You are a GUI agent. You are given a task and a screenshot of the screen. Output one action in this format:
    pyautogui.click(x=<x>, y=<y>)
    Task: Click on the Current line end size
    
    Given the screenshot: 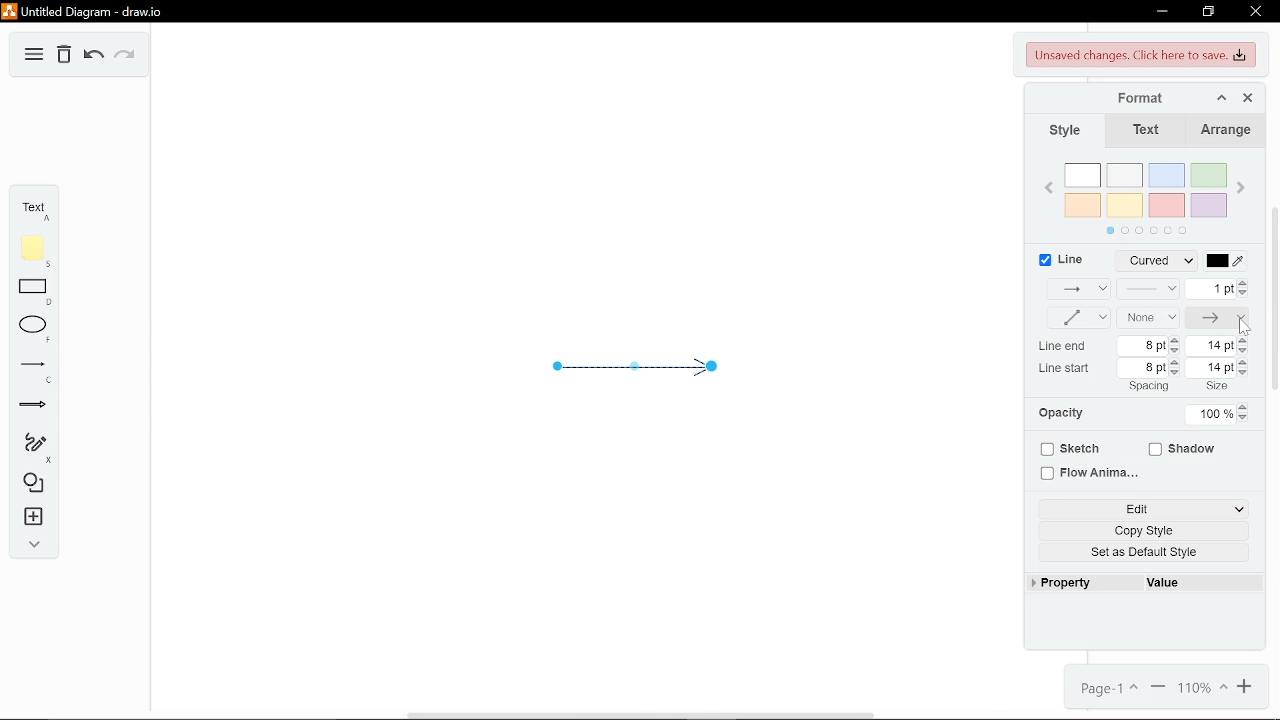 What is the action you would take?
    pyautogui.click(x=1214, y=346)
    